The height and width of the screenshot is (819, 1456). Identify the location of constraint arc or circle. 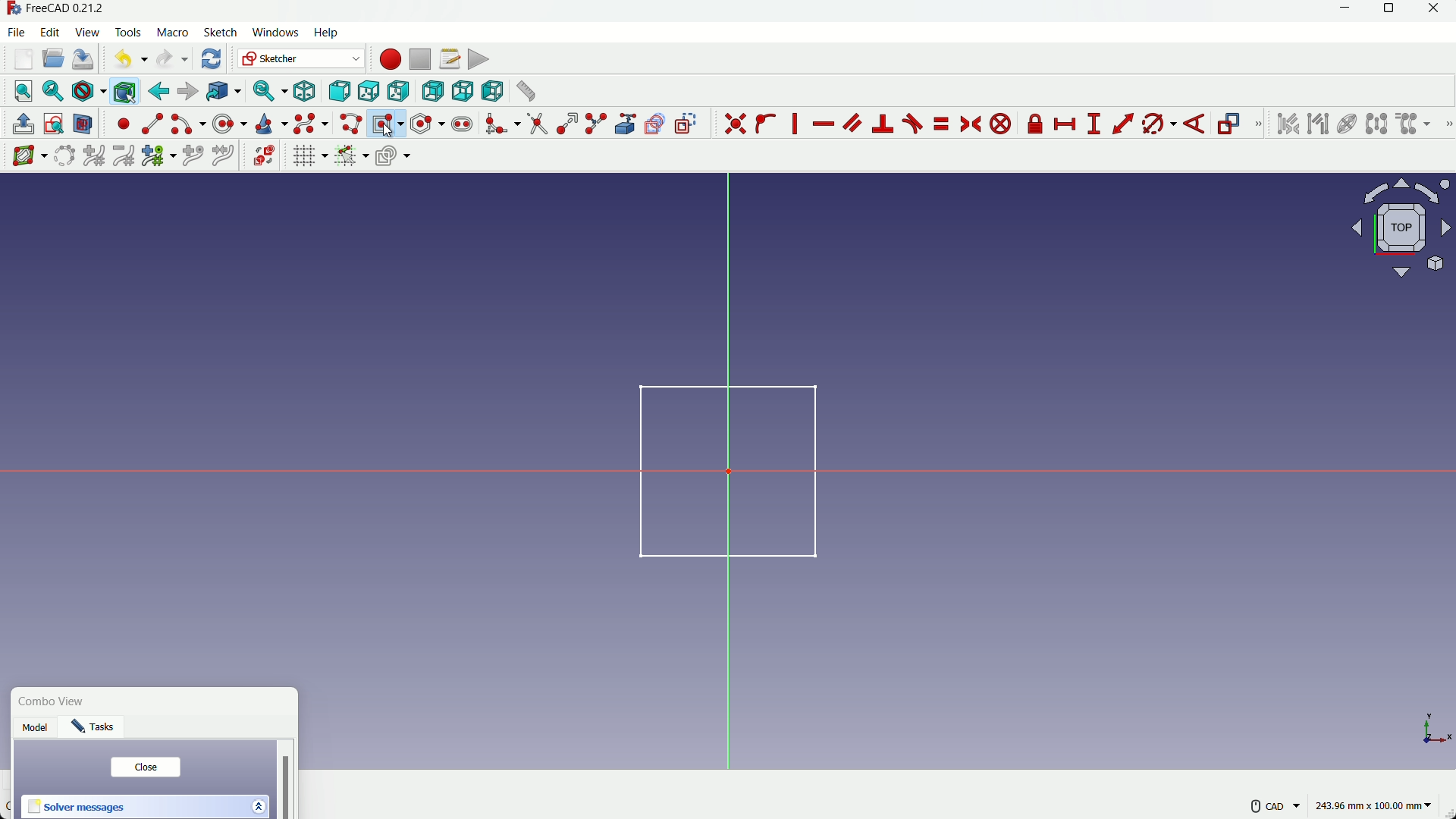
(1155, 127).